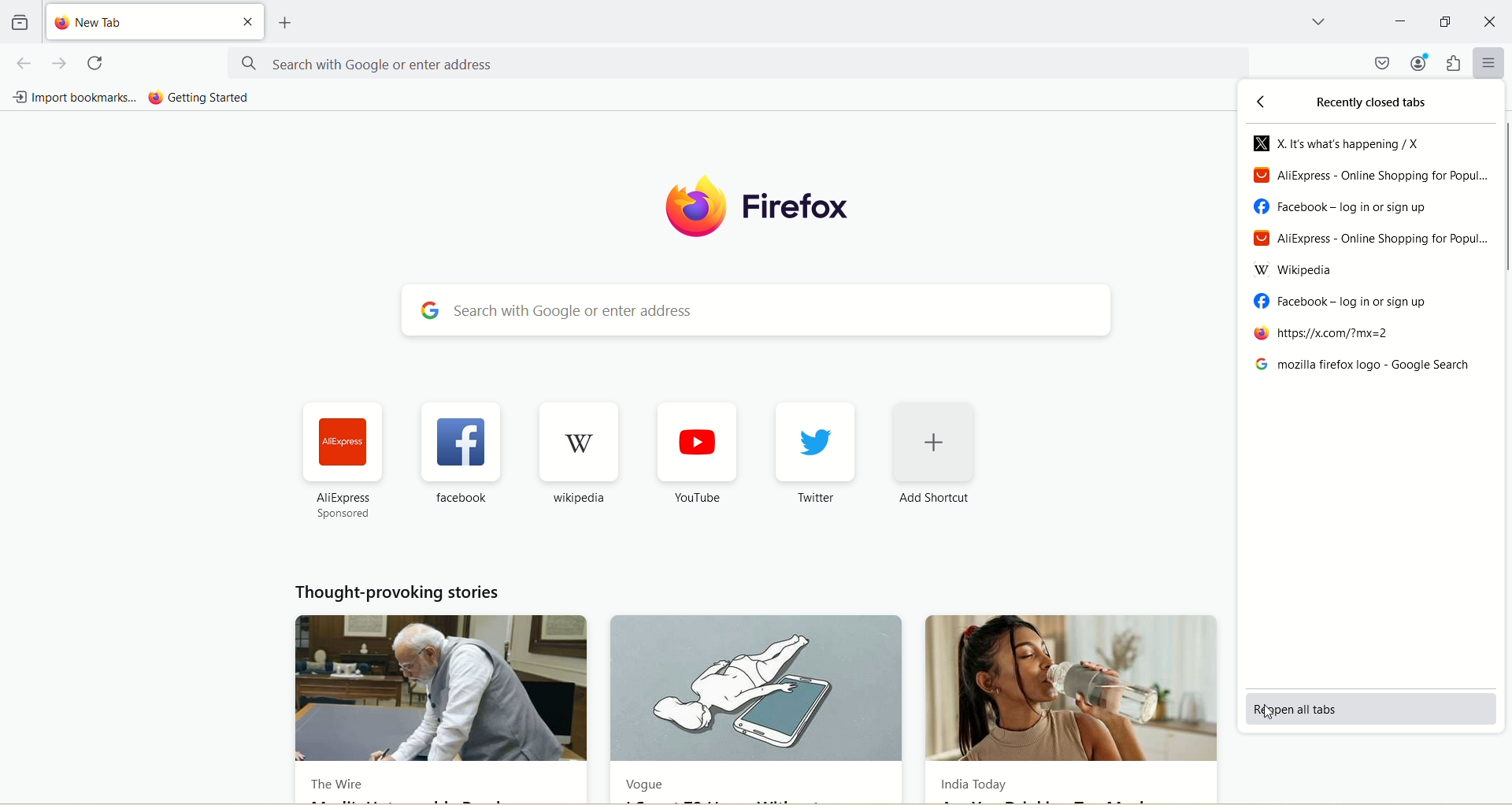  What do you see at coordinates (400, 593) in the screenshot?
I see `thought provoking stories` at bounding box center [400, 593].